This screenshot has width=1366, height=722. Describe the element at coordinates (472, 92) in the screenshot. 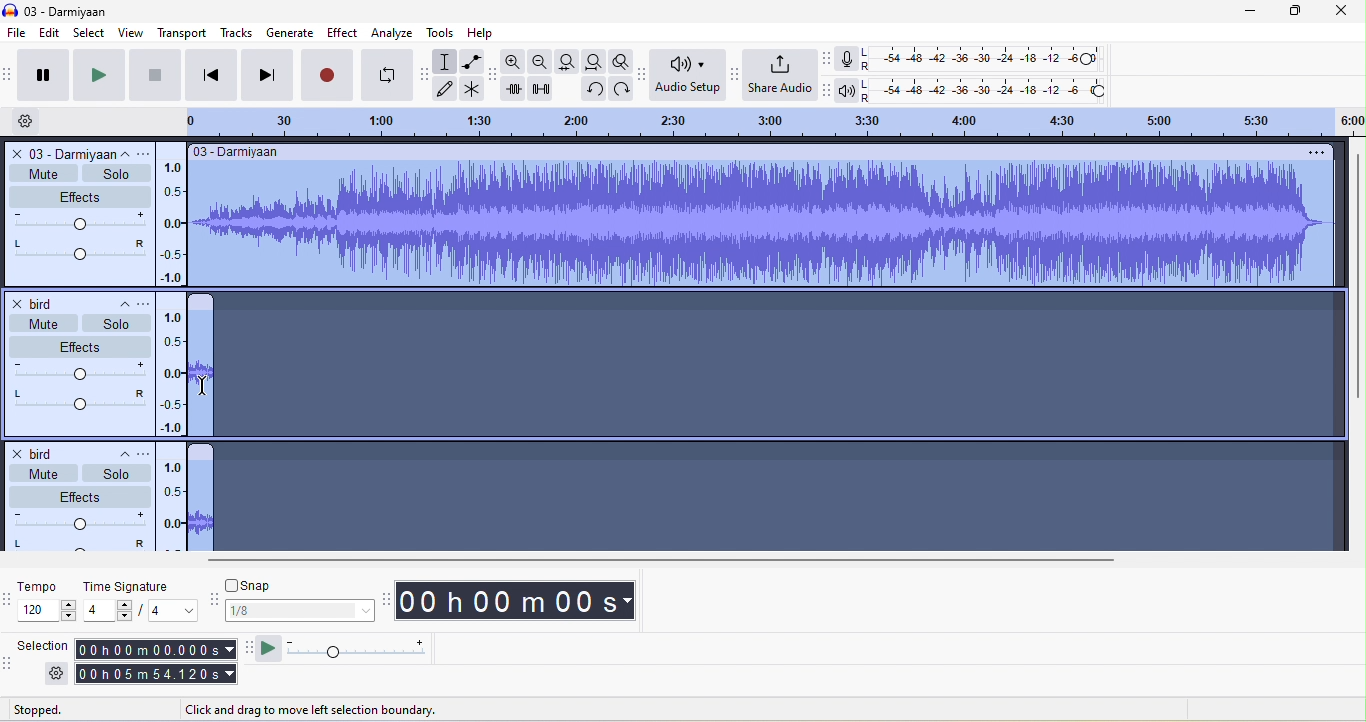

I see `multi tool` at that location.